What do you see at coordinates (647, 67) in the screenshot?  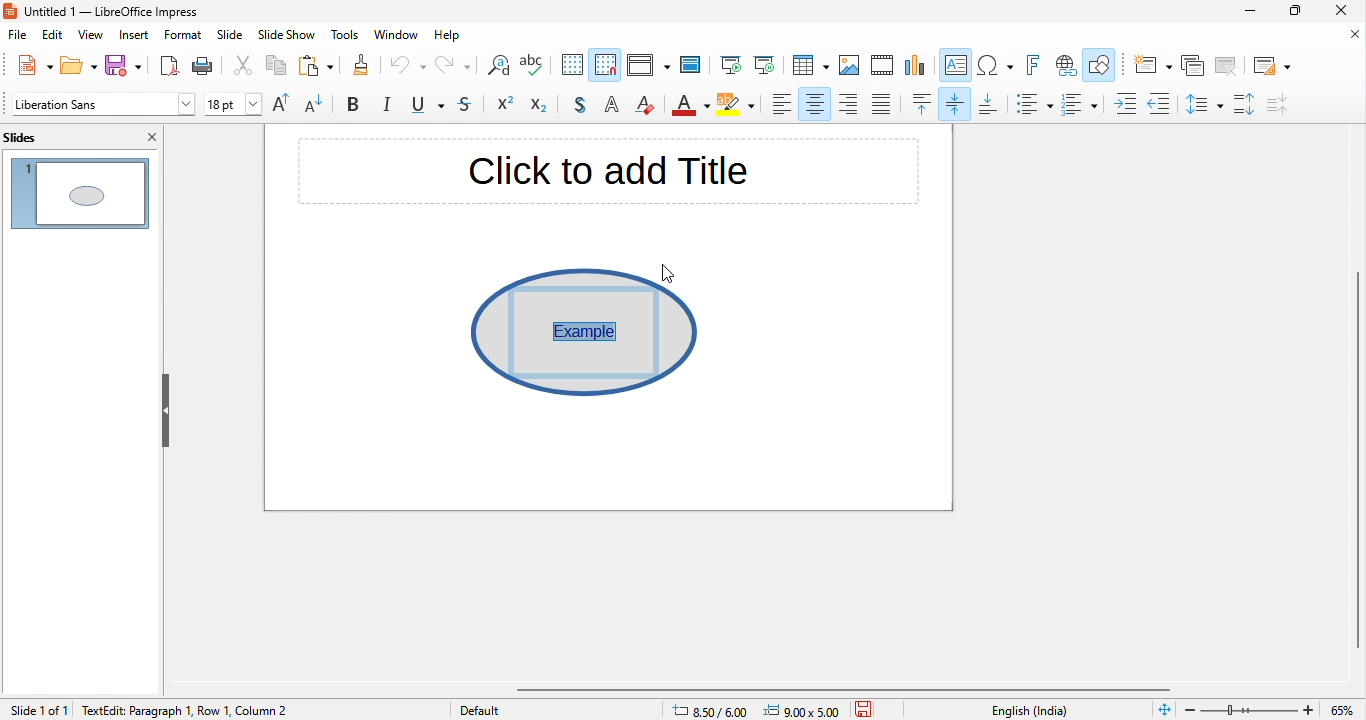 I see `display view` at bounding box center [647, 67].